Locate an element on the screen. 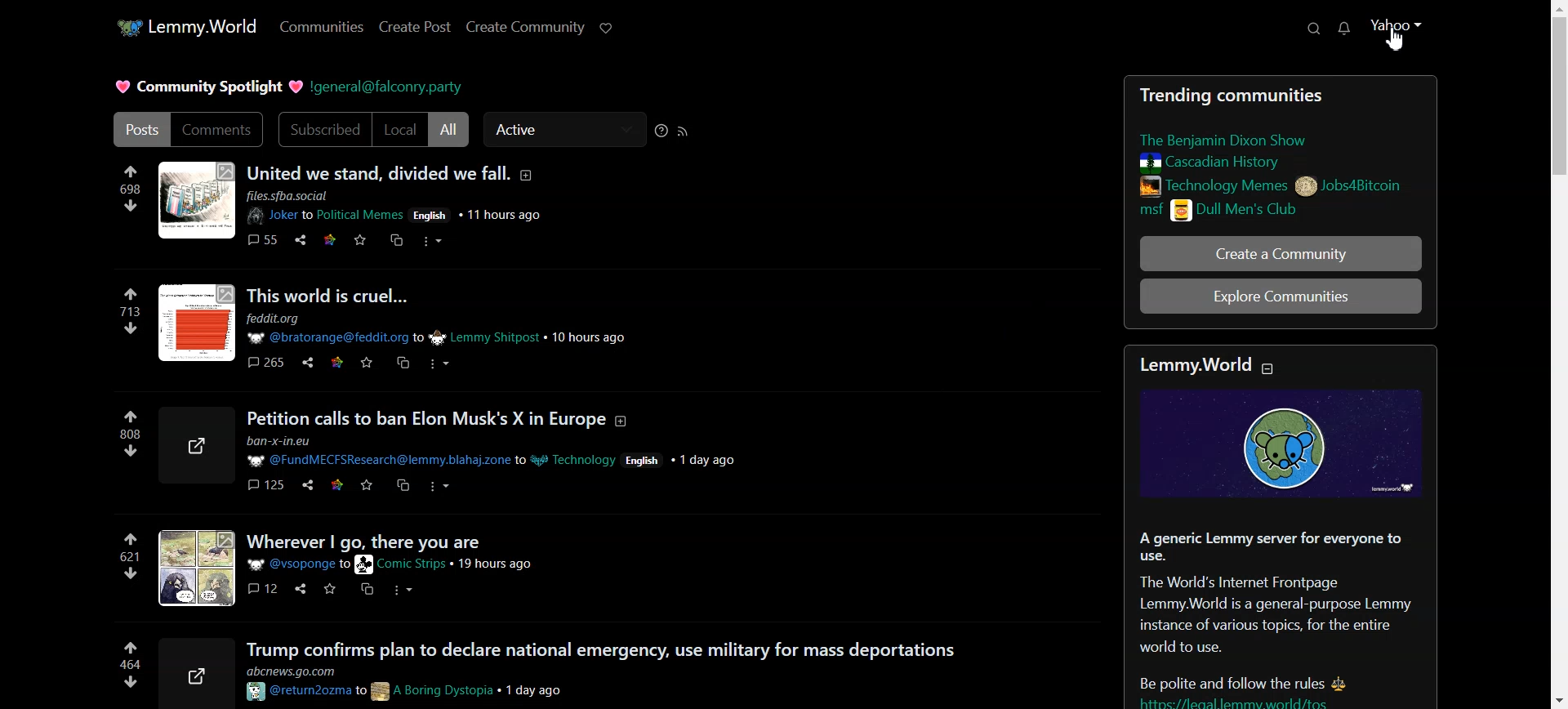 This screenshot has width=1568, height=709. 1 day ago is located at coordinates (547, 692).